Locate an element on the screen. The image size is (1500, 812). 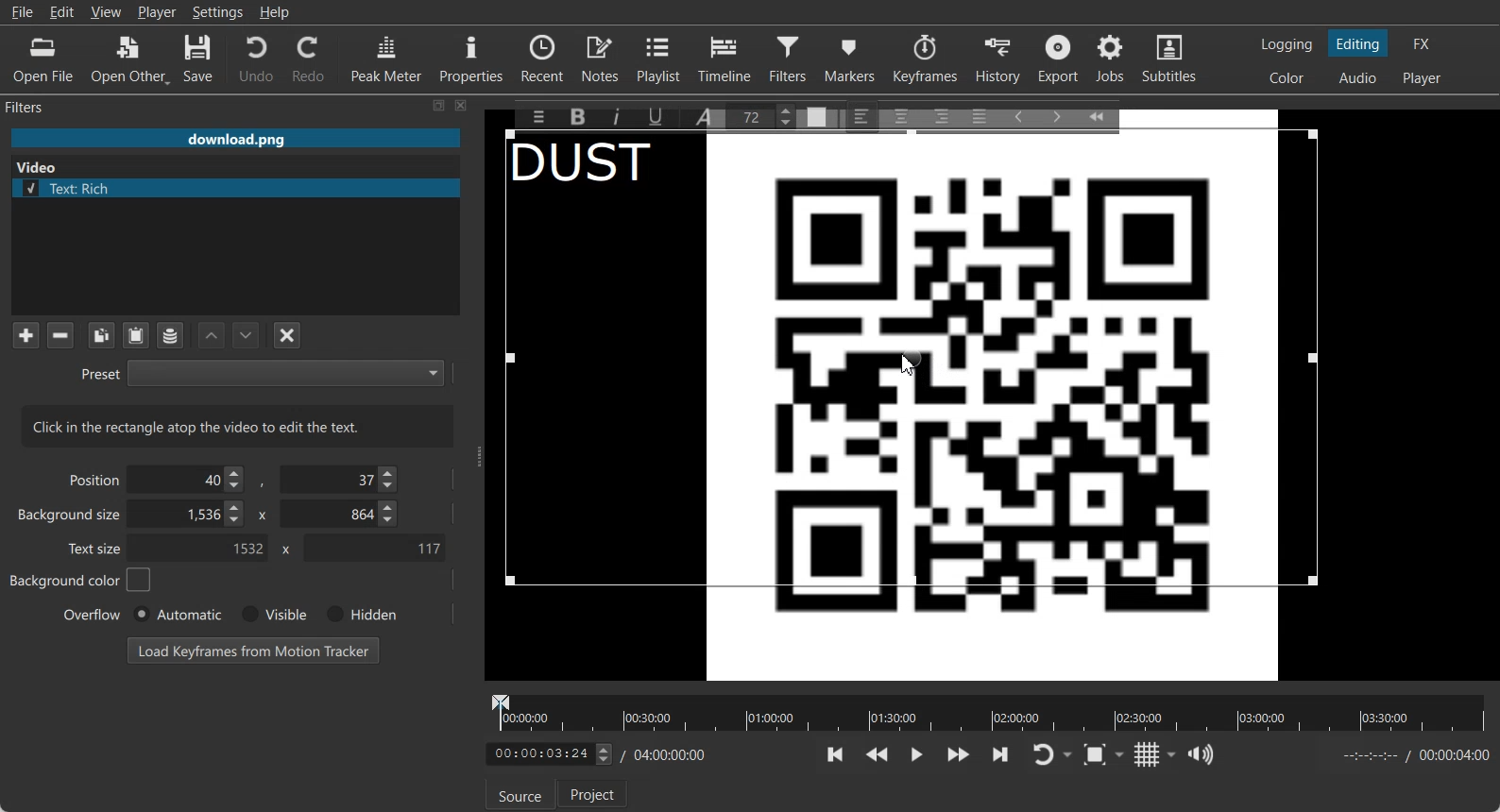
Keyframes is located at coordinates (925, 58).